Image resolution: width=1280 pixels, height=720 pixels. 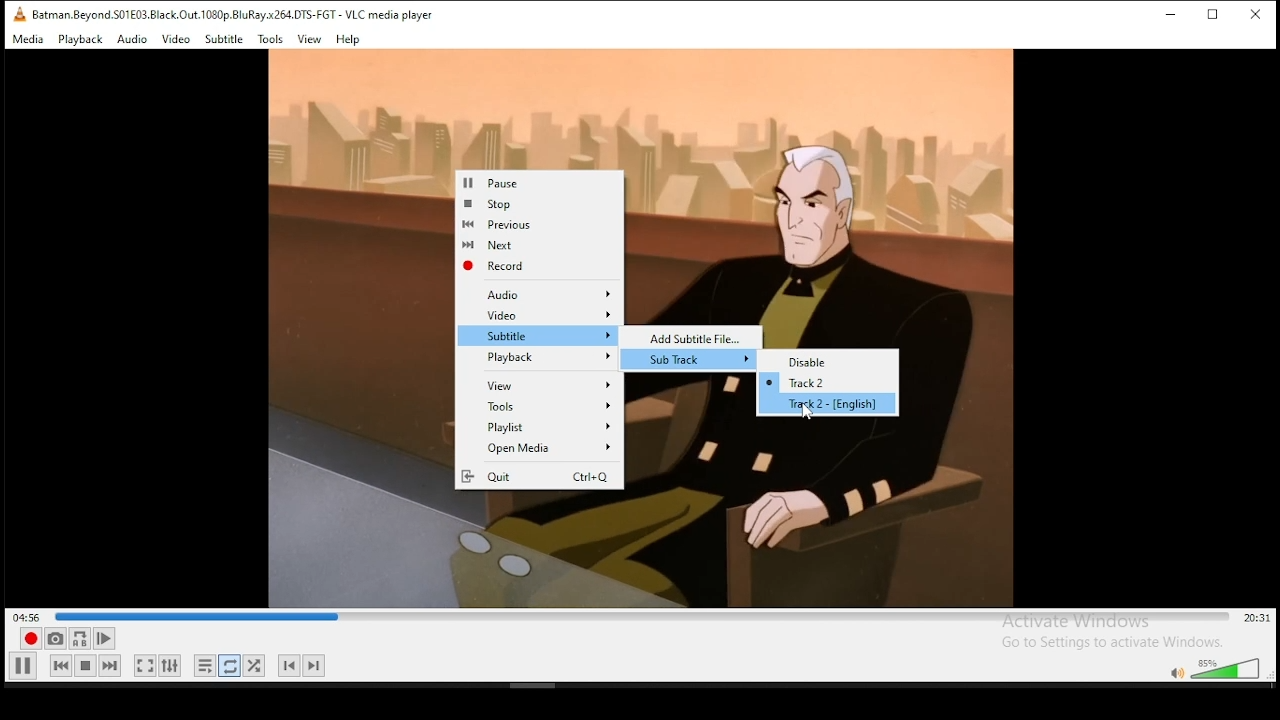 What do you see at coordinates (535, 267) in the screenshot?
I see `Record` at bounding box center [535, 267].